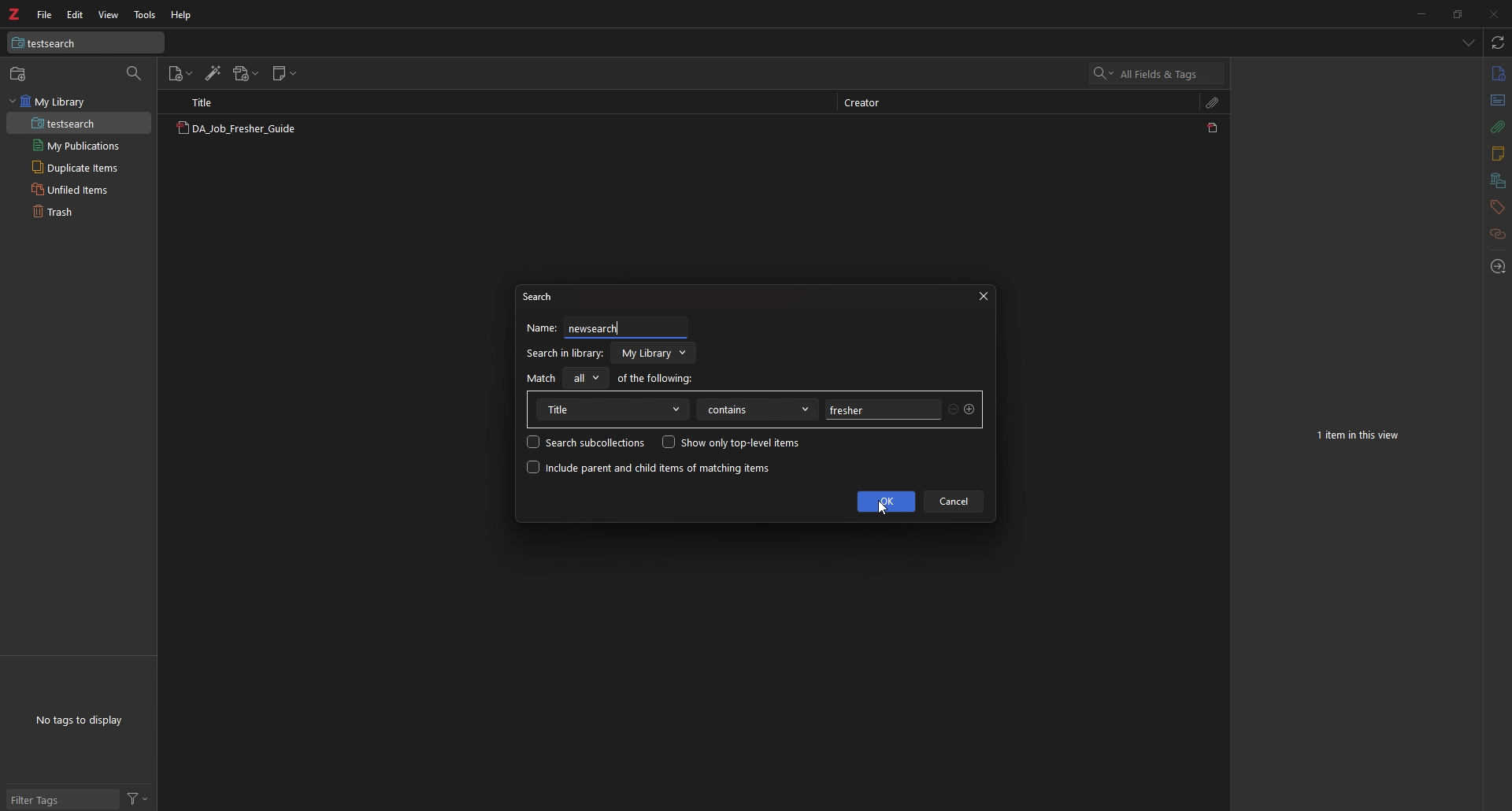  Describe the element at coordinates (868, 104) in the screenshot. I see `creator` at that location.